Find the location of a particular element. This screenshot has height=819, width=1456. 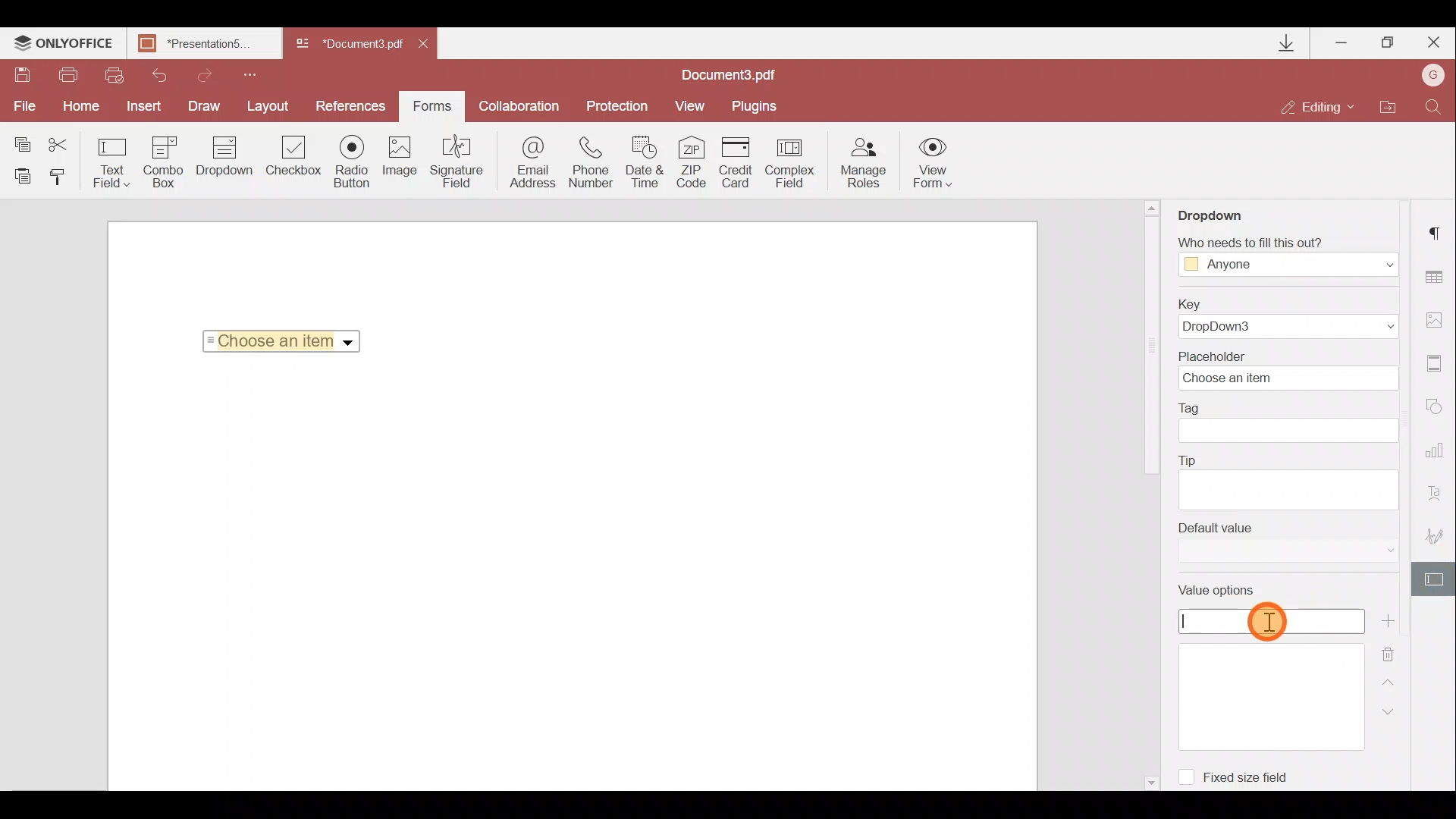

Layout is located at coordinates (272, 106).